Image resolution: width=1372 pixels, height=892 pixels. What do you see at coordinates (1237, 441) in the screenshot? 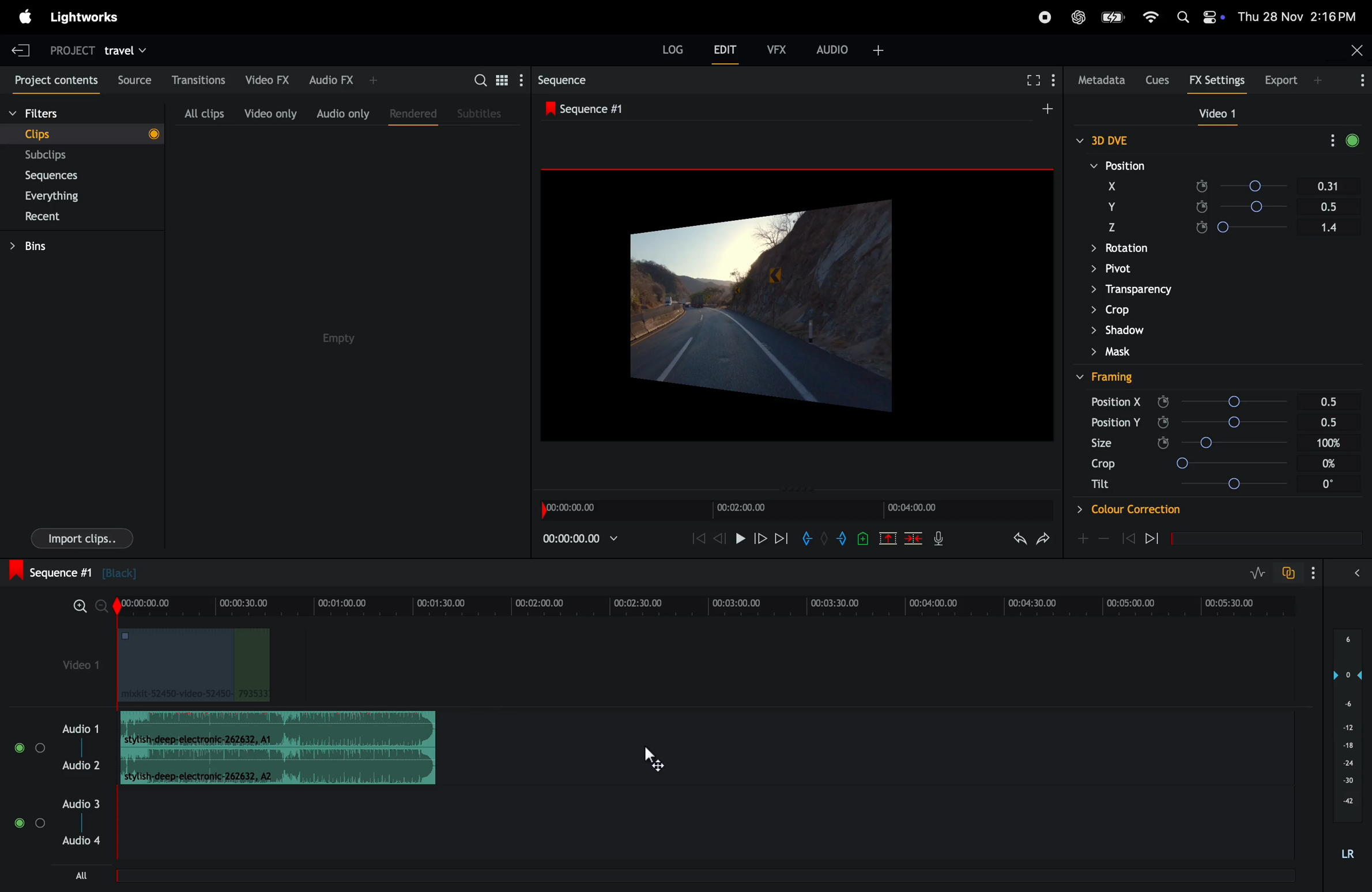
I see `` at bounding box center [1237, 441].